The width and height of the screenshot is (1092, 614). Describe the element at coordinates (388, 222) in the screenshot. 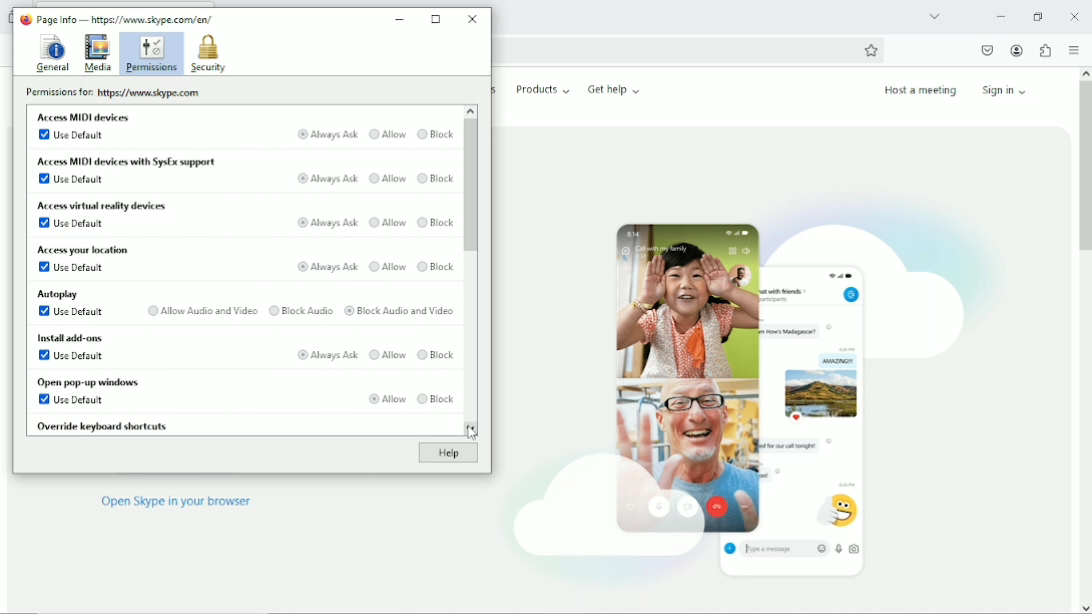

I see `Allow` at that location.